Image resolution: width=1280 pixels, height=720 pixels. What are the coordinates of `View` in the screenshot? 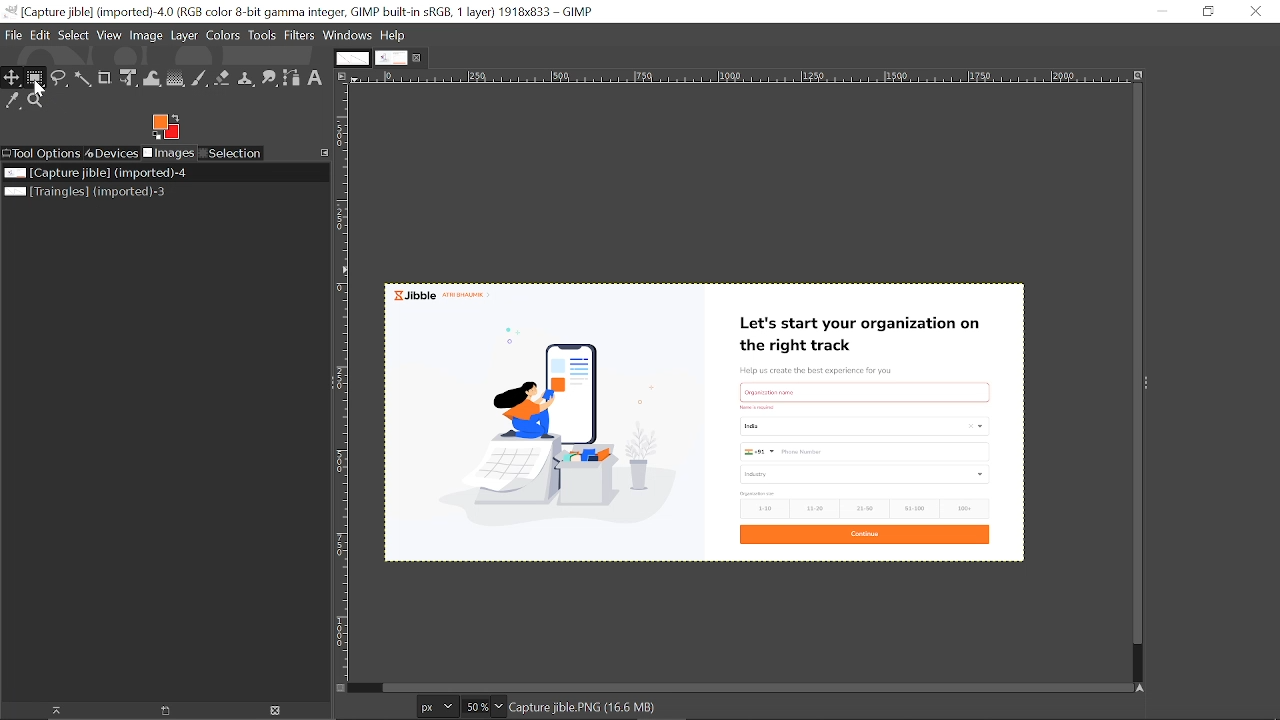 It's located at (110, 36).